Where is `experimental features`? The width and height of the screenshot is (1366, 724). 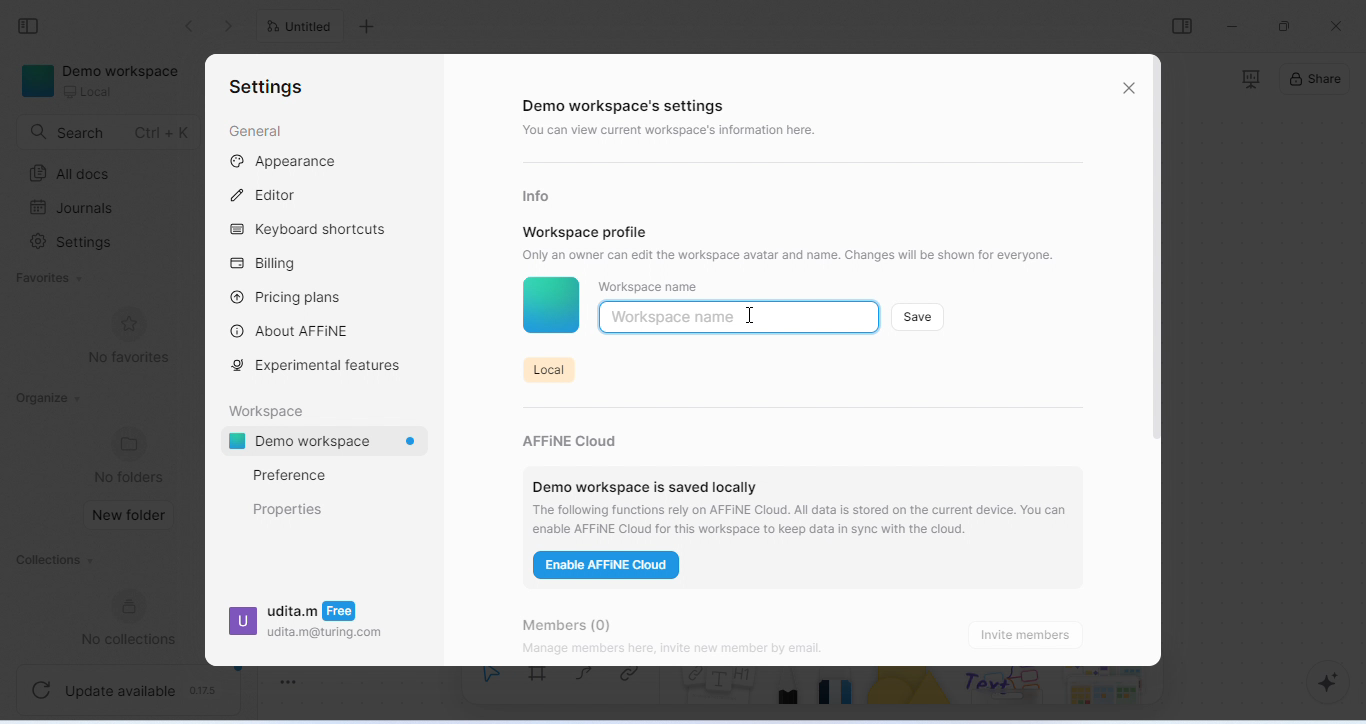 experimental features is located at coordinates (321, 366).